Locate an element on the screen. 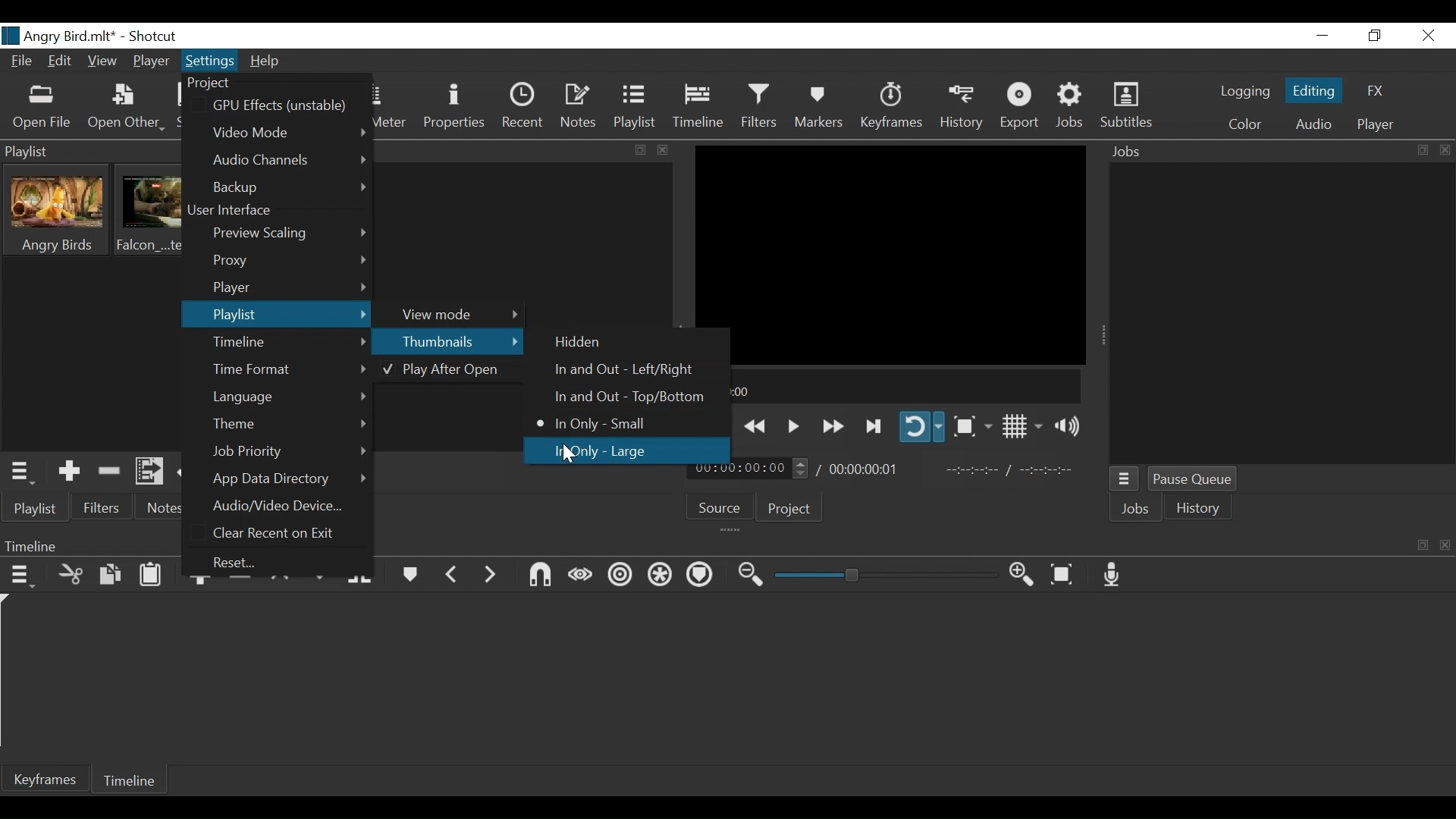  Toggle player looping is located at coordinates (922, 427).